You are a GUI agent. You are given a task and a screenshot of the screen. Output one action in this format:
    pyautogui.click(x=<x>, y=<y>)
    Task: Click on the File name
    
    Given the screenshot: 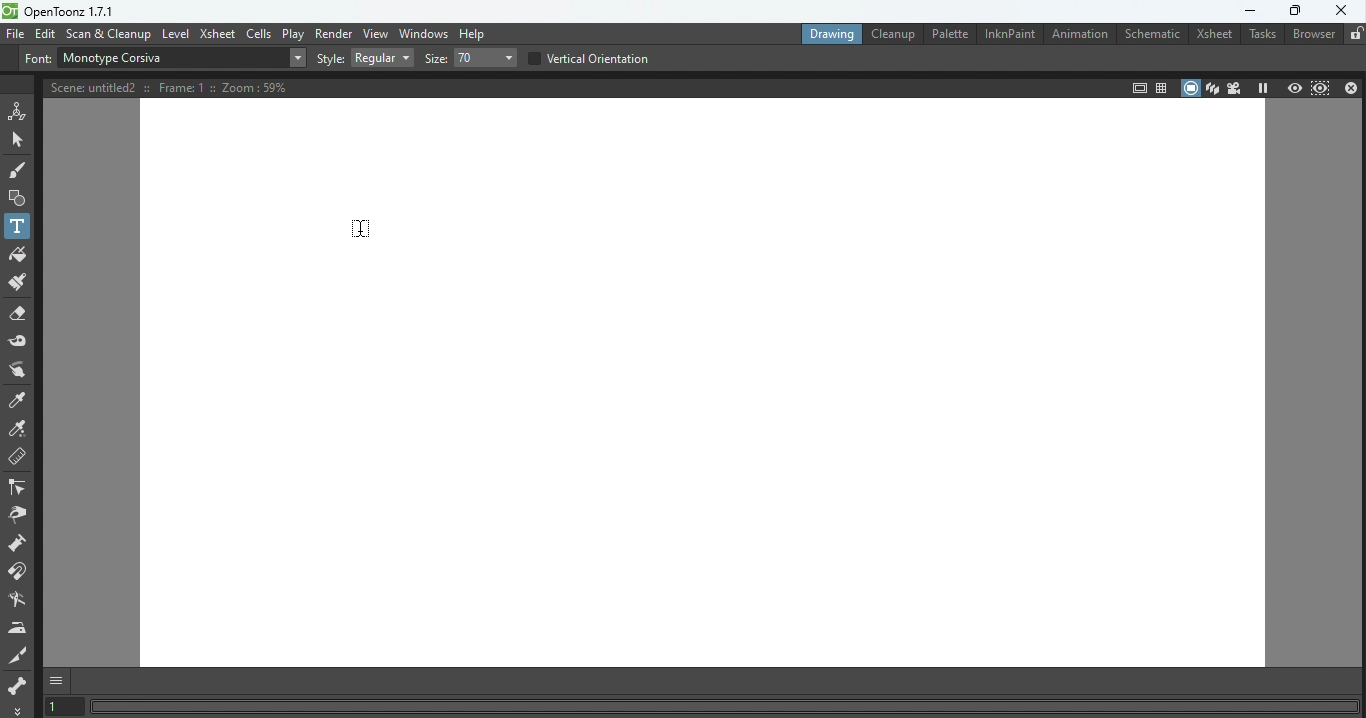 What is the action you would take?
    pyautogui.click(x=84, y=11)
    